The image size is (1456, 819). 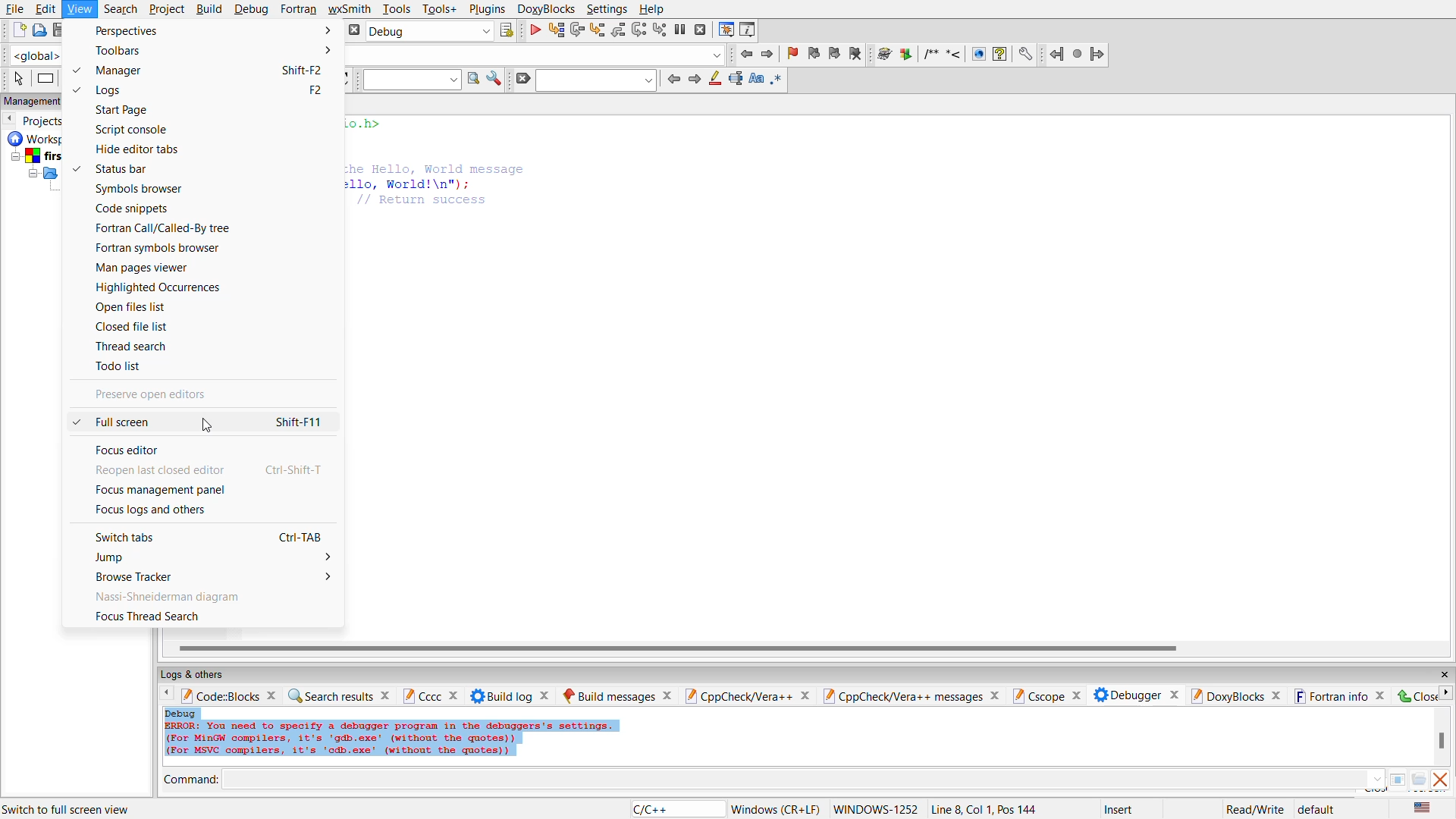 What do you see at coordinates (431, 695) in the screenshot?
I see `cccc` at bounding box center [431, 695].